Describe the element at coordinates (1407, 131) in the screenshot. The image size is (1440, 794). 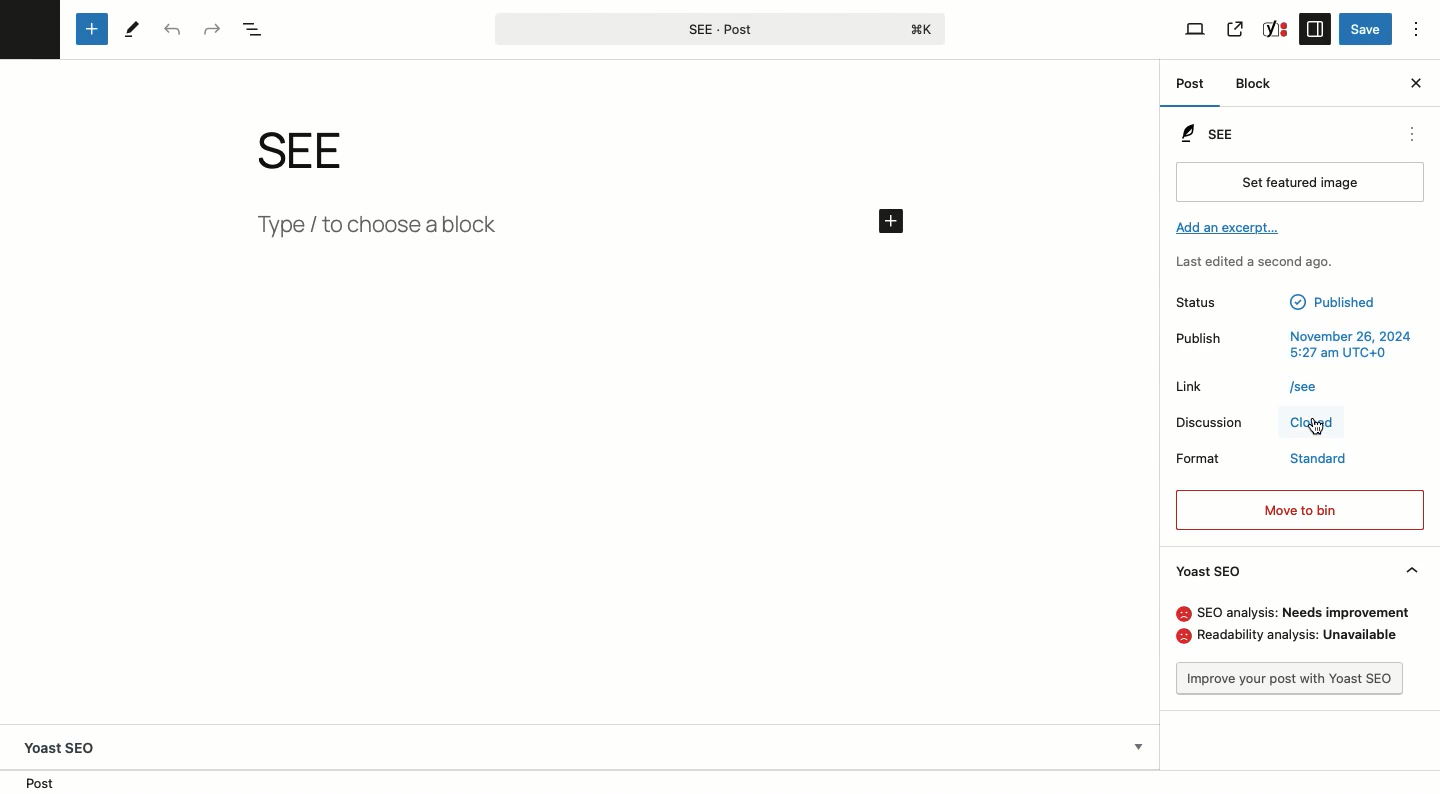
I see `see options` at that location.